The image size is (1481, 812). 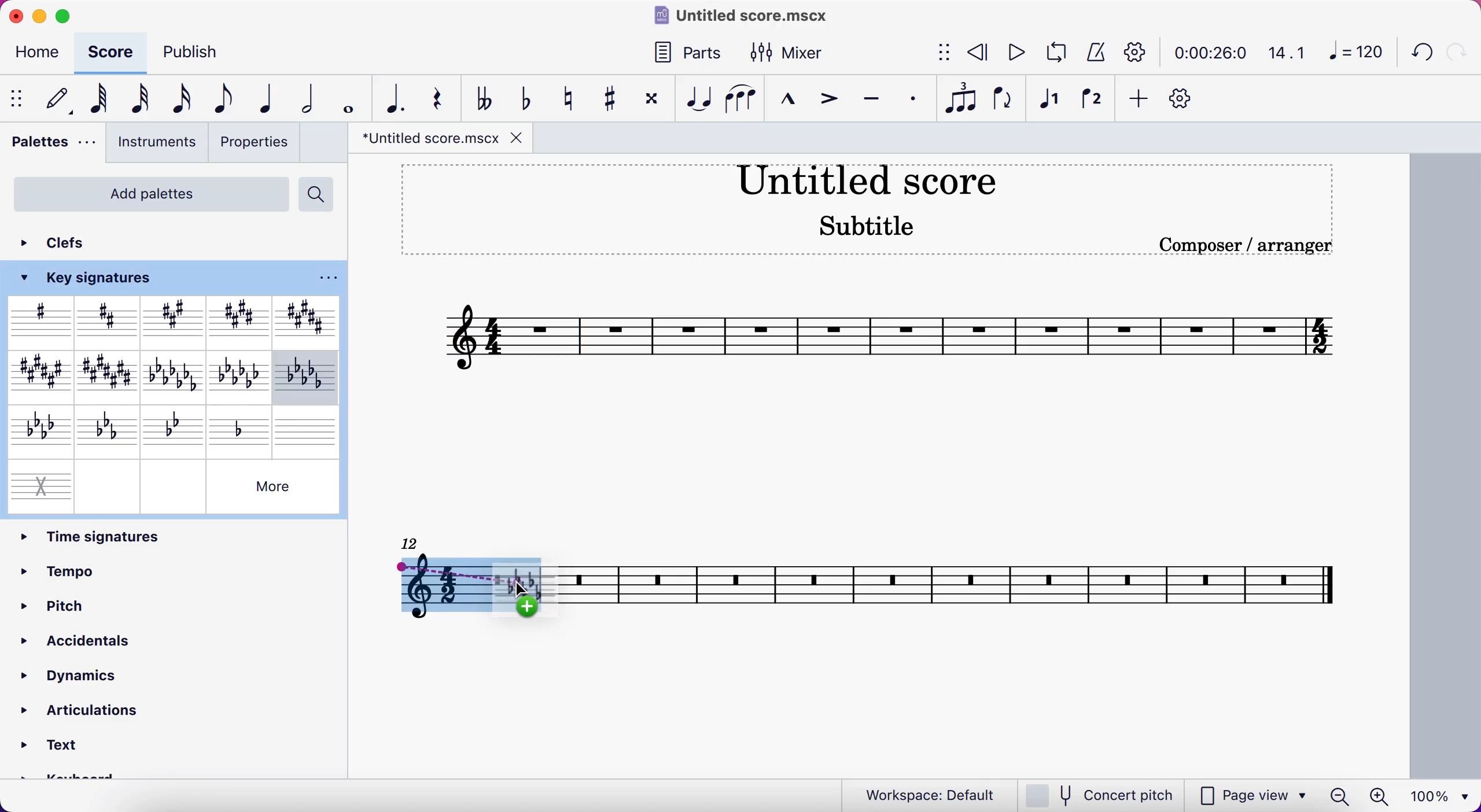 I want to click on title, so click(x=754, y=16).